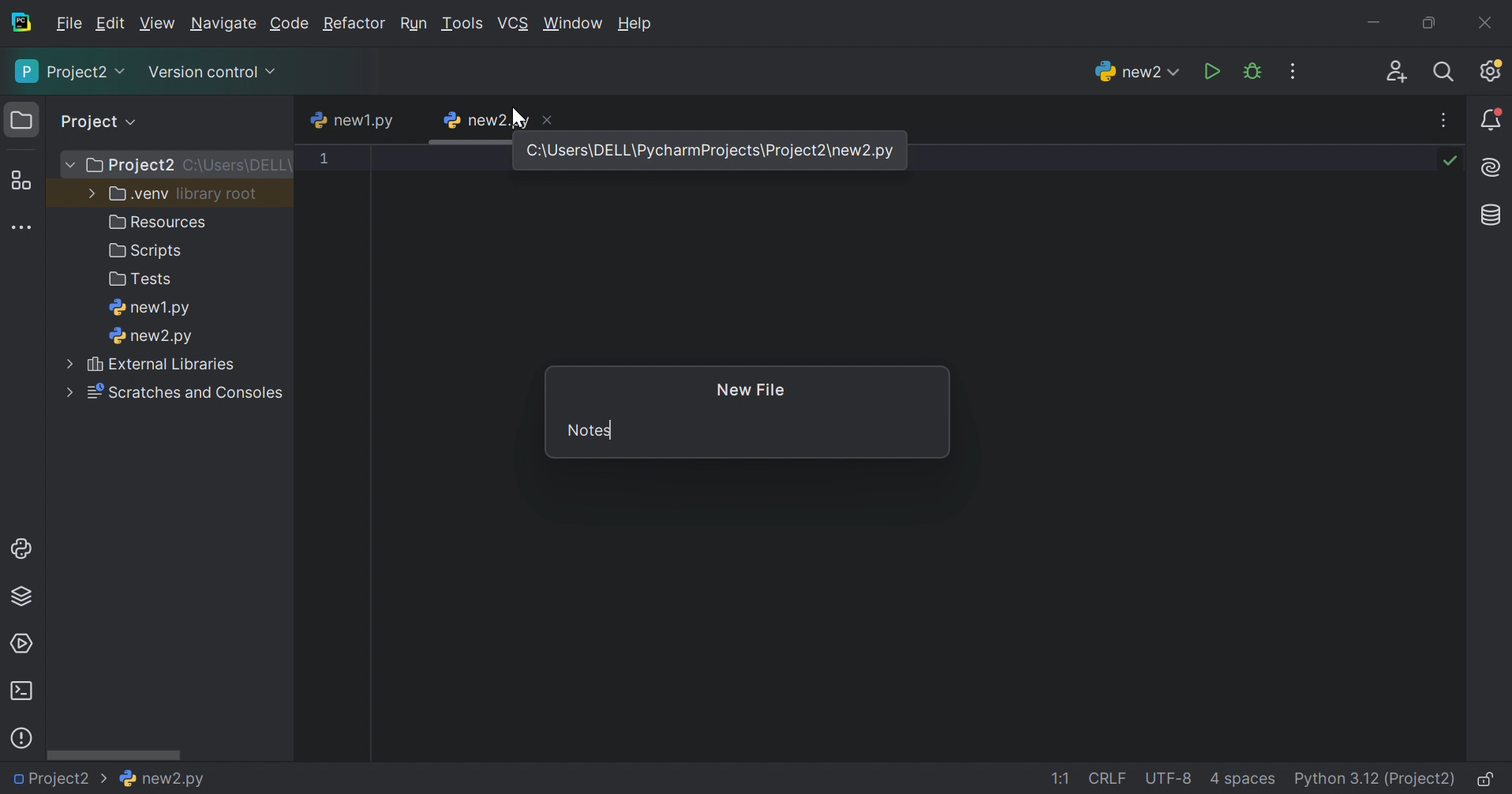 The width and height of the screenshot is (1512, 794). What do you see at coordinates (152, 309) in the screenshot?
I see `new1.py` at bounding box center [152, 309].